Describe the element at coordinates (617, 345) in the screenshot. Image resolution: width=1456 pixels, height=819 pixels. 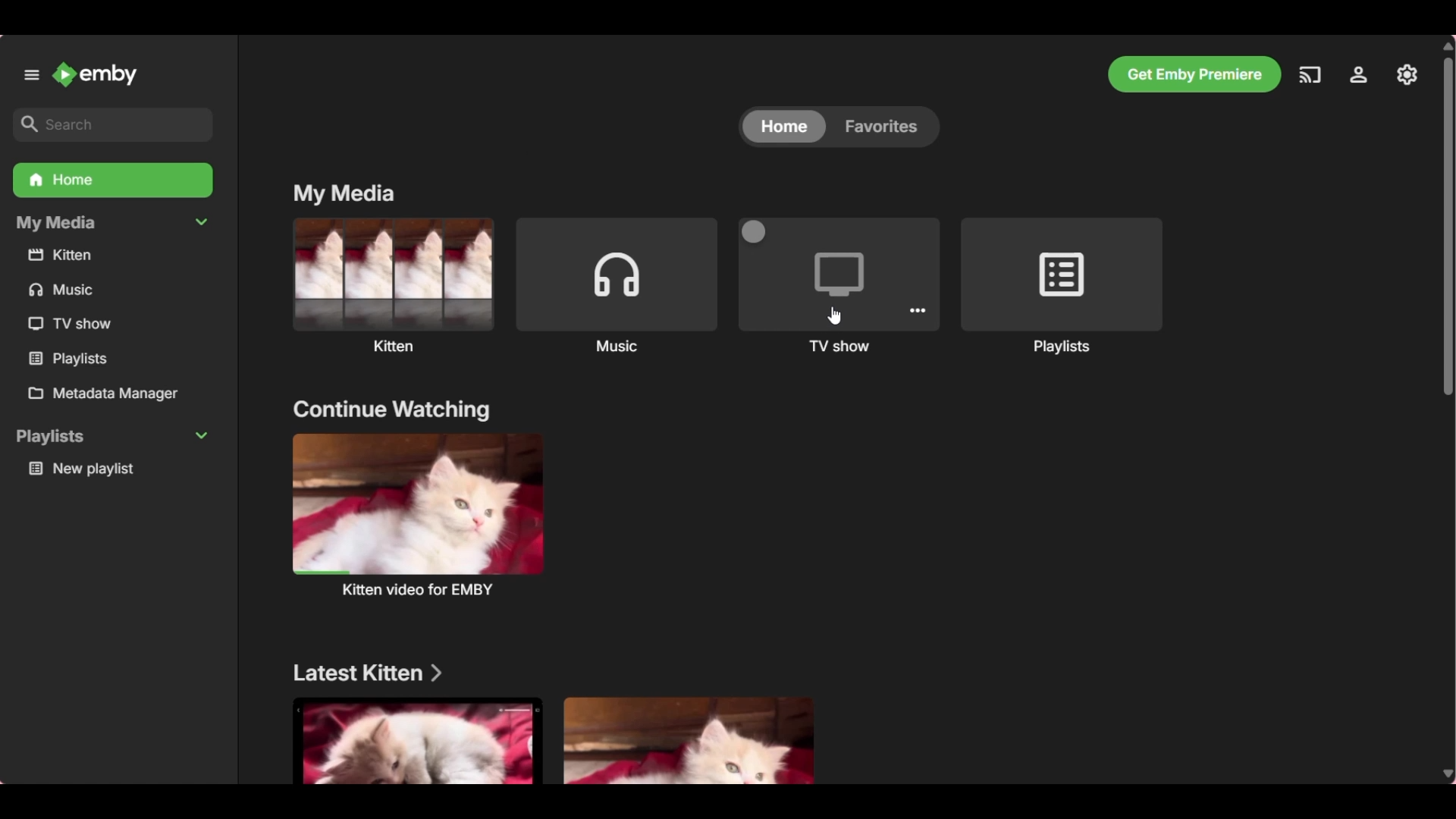
I see `text` at that location.